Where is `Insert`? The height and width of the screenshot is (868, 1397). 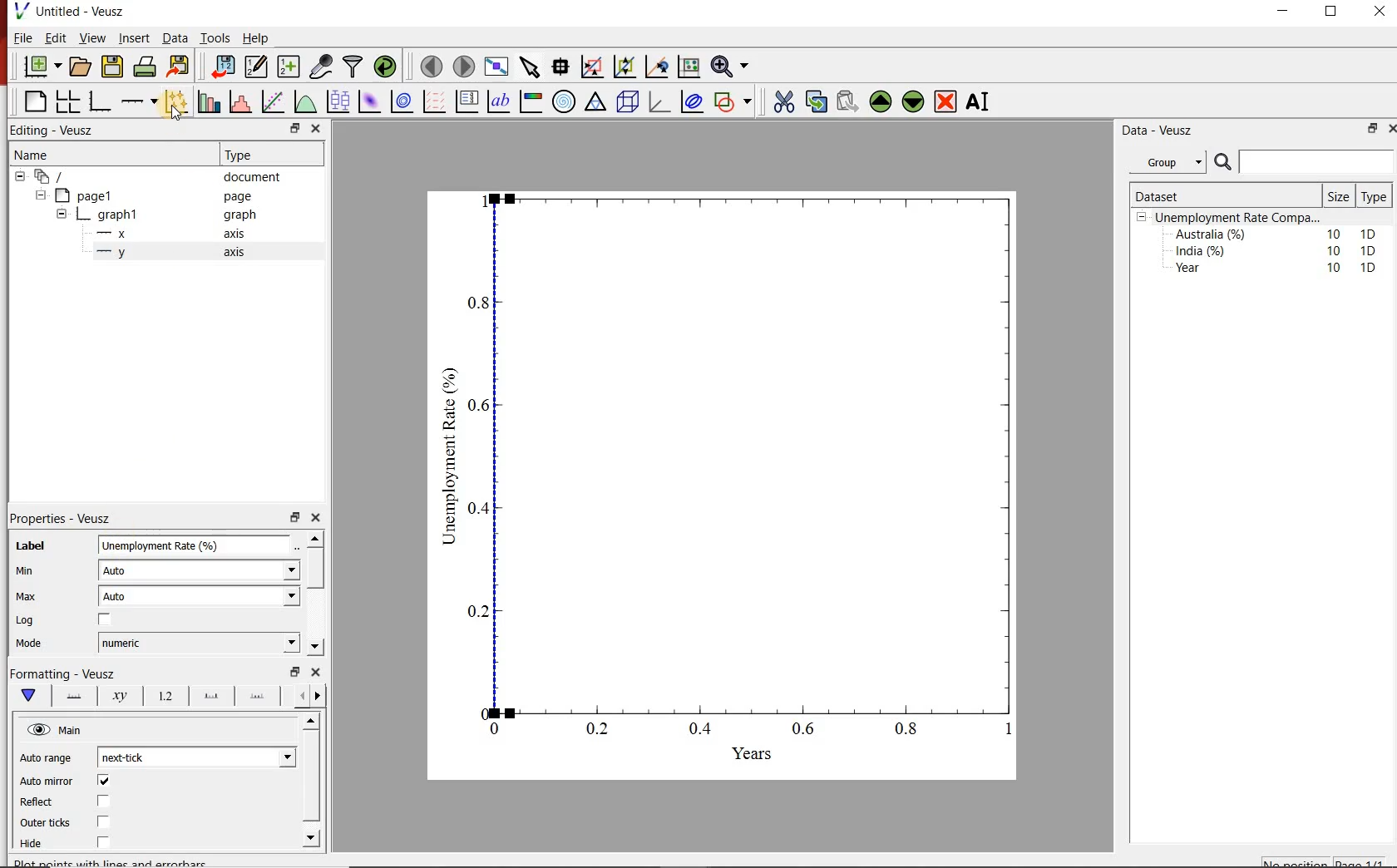 Insert is located at coordinates (133, 37).